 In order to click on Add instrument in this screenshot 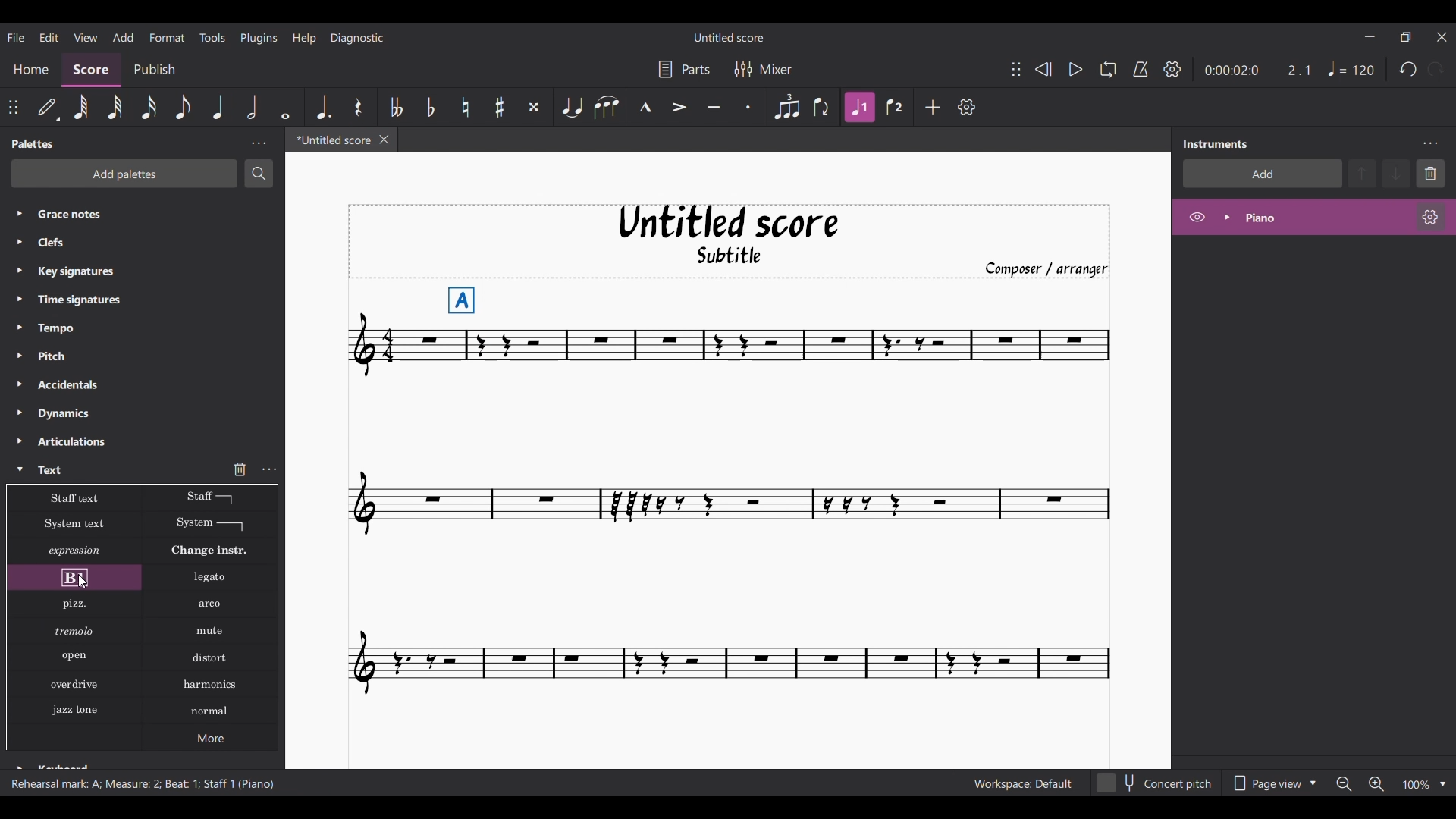, I will do `click(1263, 174)`.